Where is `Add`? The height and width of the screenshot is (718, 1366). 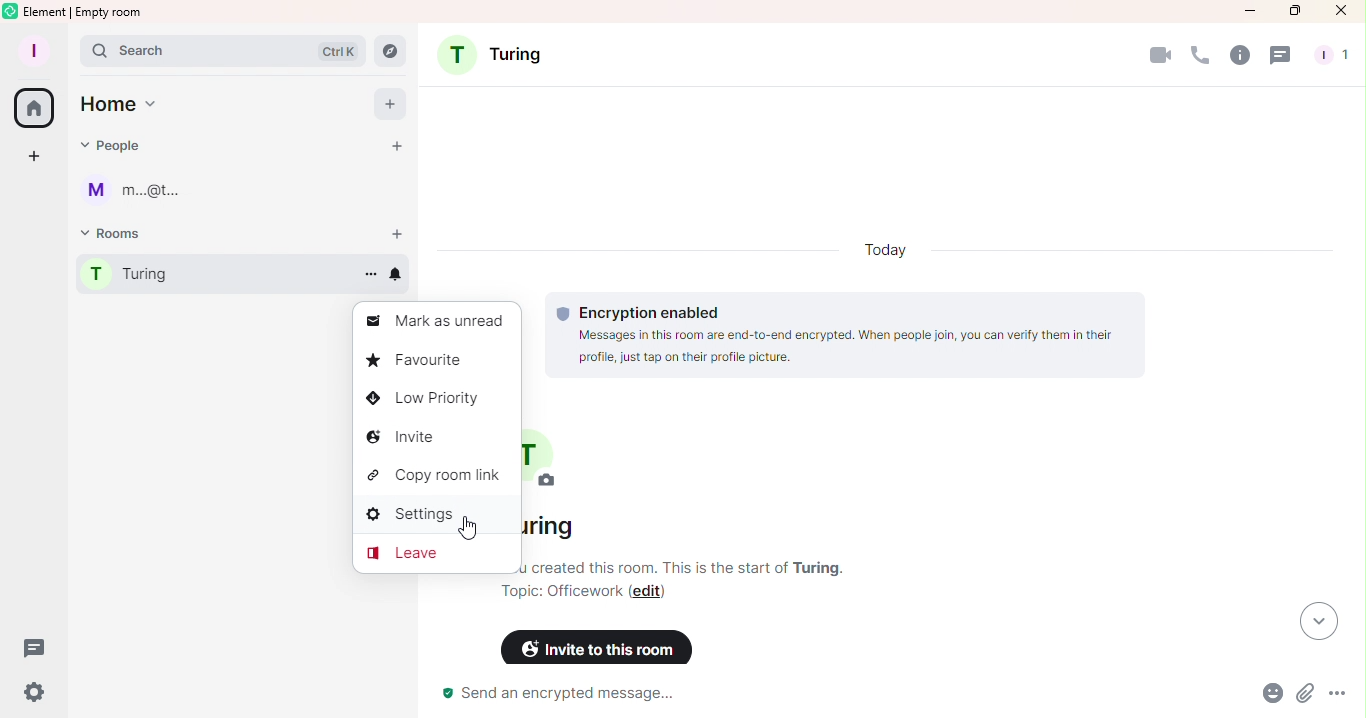 Add is located at coordinates (393, 103).